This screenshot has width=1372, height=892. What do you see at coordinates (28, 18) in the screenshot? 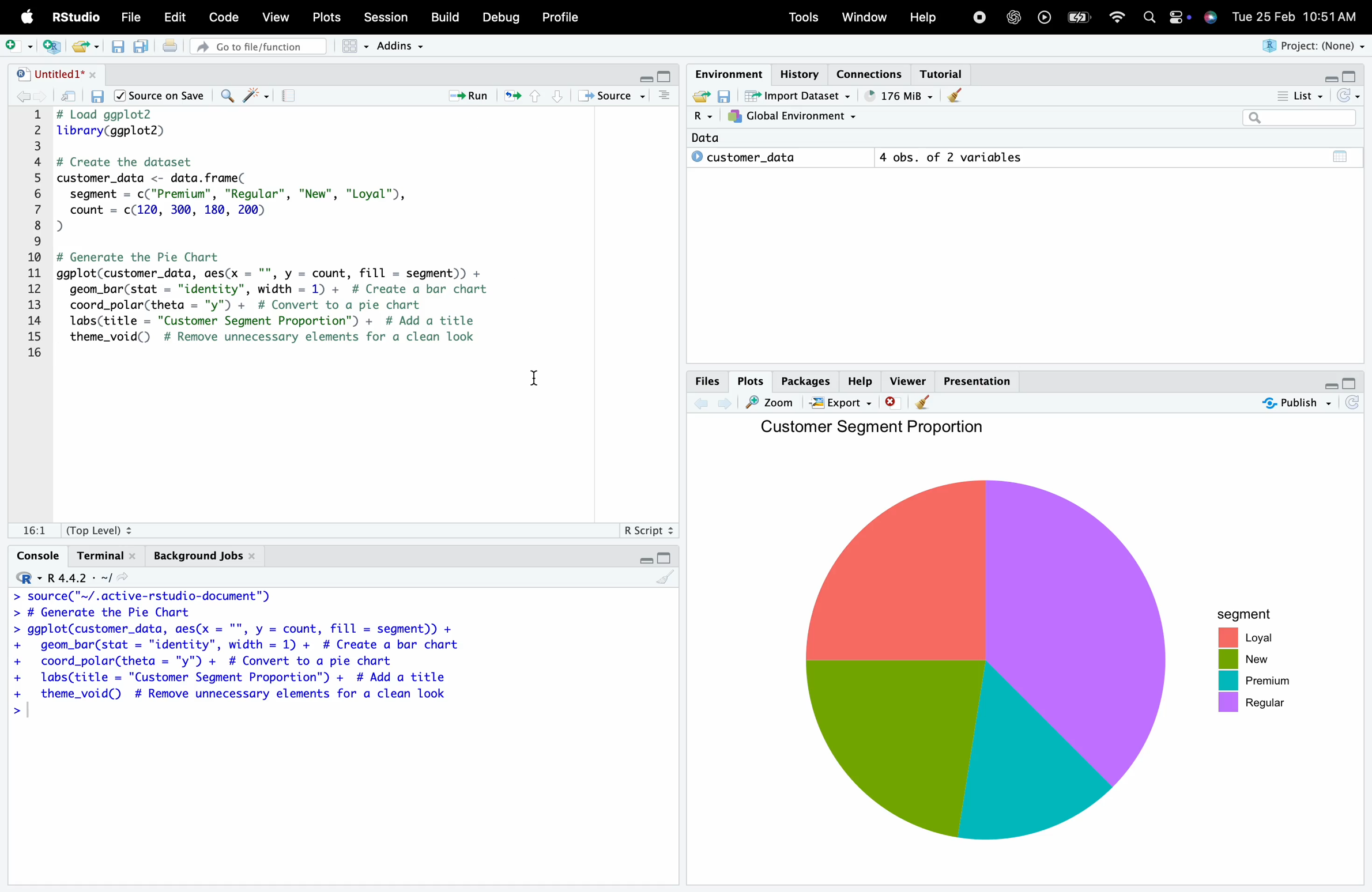
I see `logo` at bounding box center [28, 18].